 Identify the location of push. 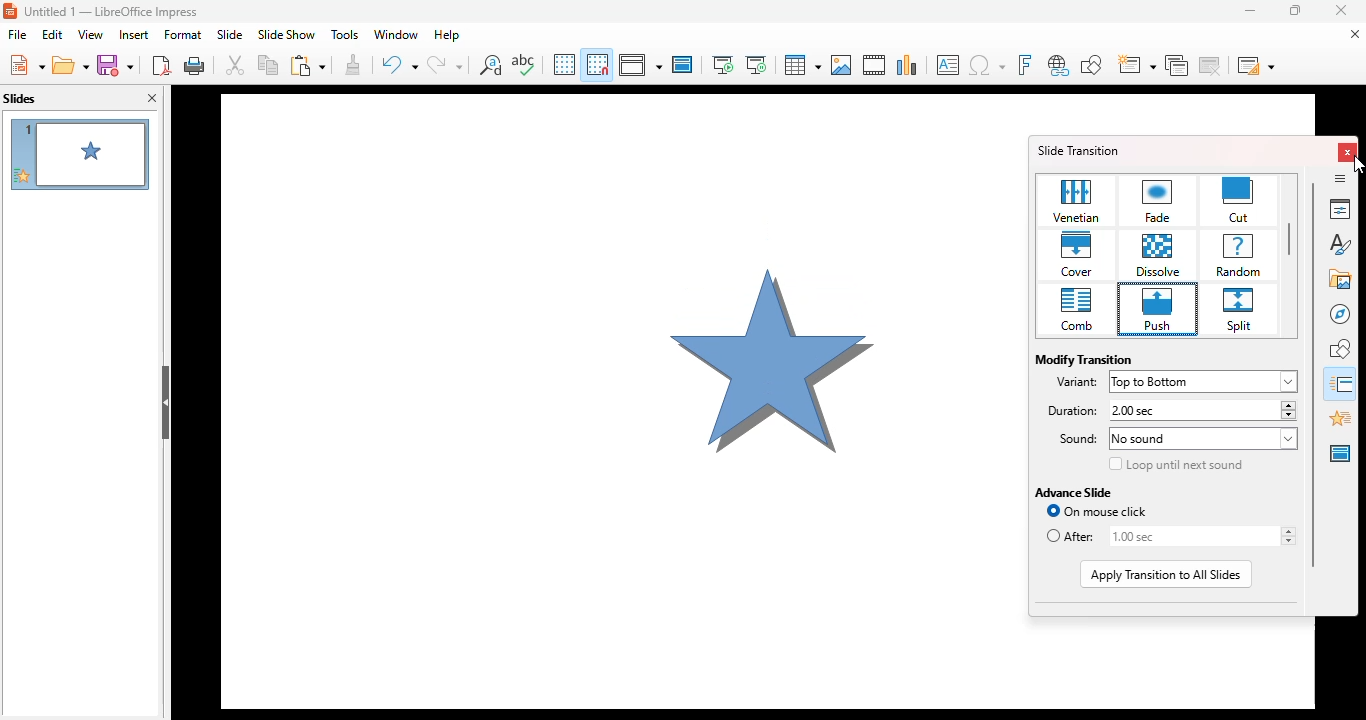
(1158, 310).